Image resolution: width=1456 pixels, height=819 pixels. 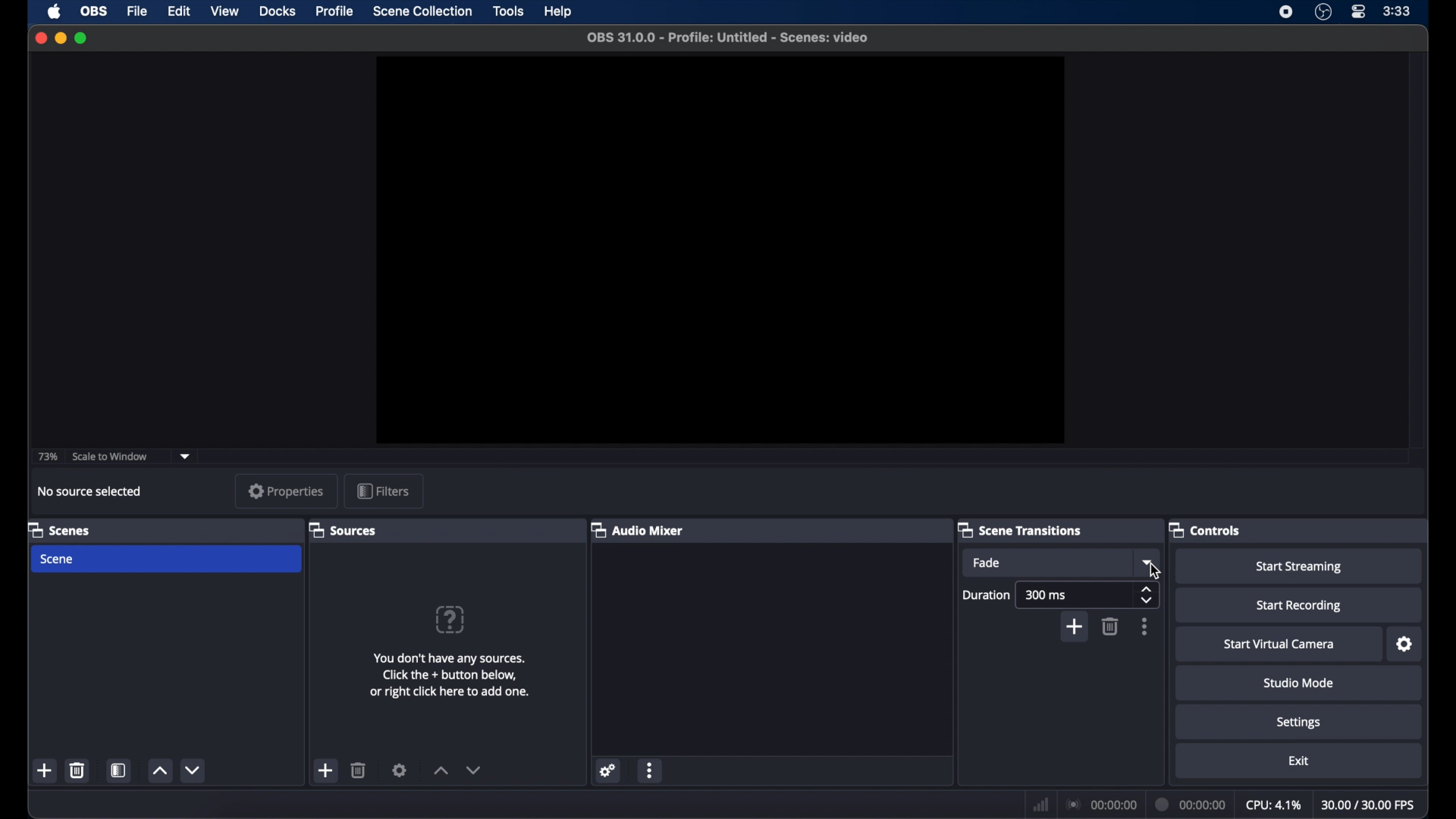 What do you see at coordinates (474, 770) in the screenshot?
I see `decrement` at bounding box center [474, 770].